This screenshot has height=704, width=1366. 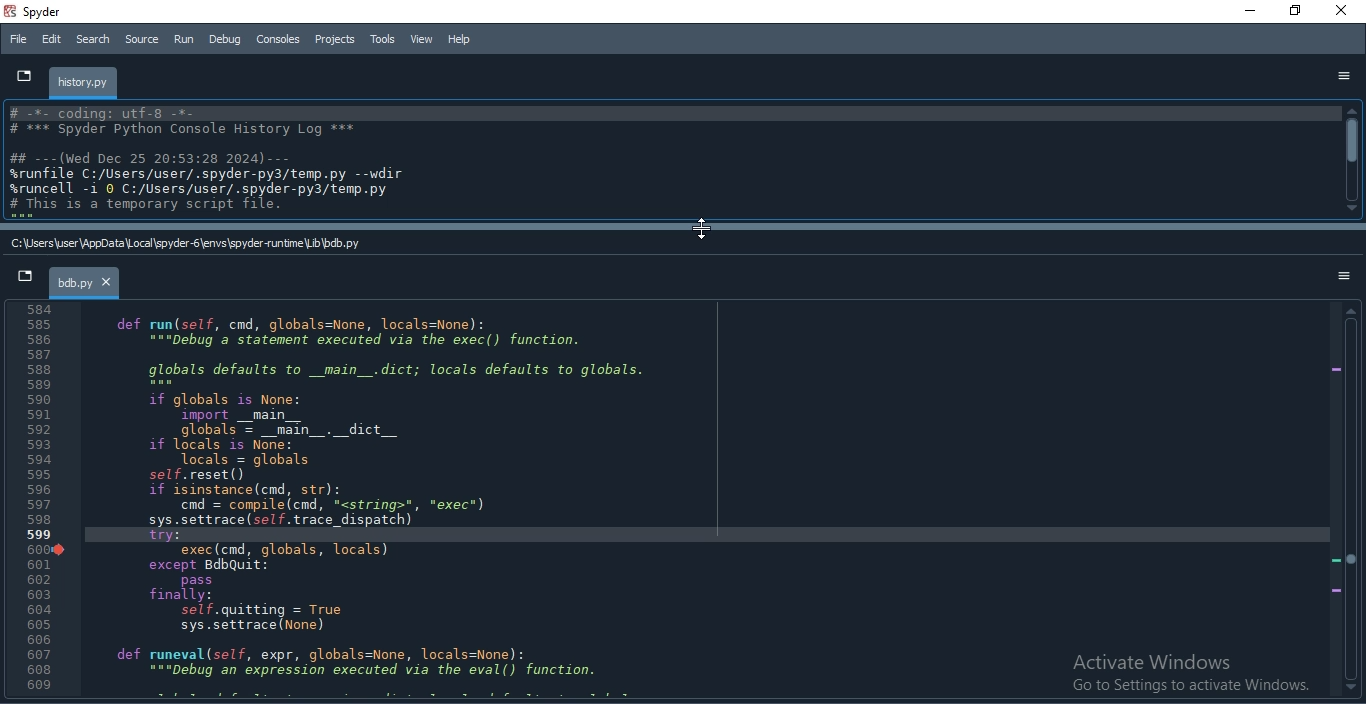 I want to click on options, so click(x=1338, y=277).